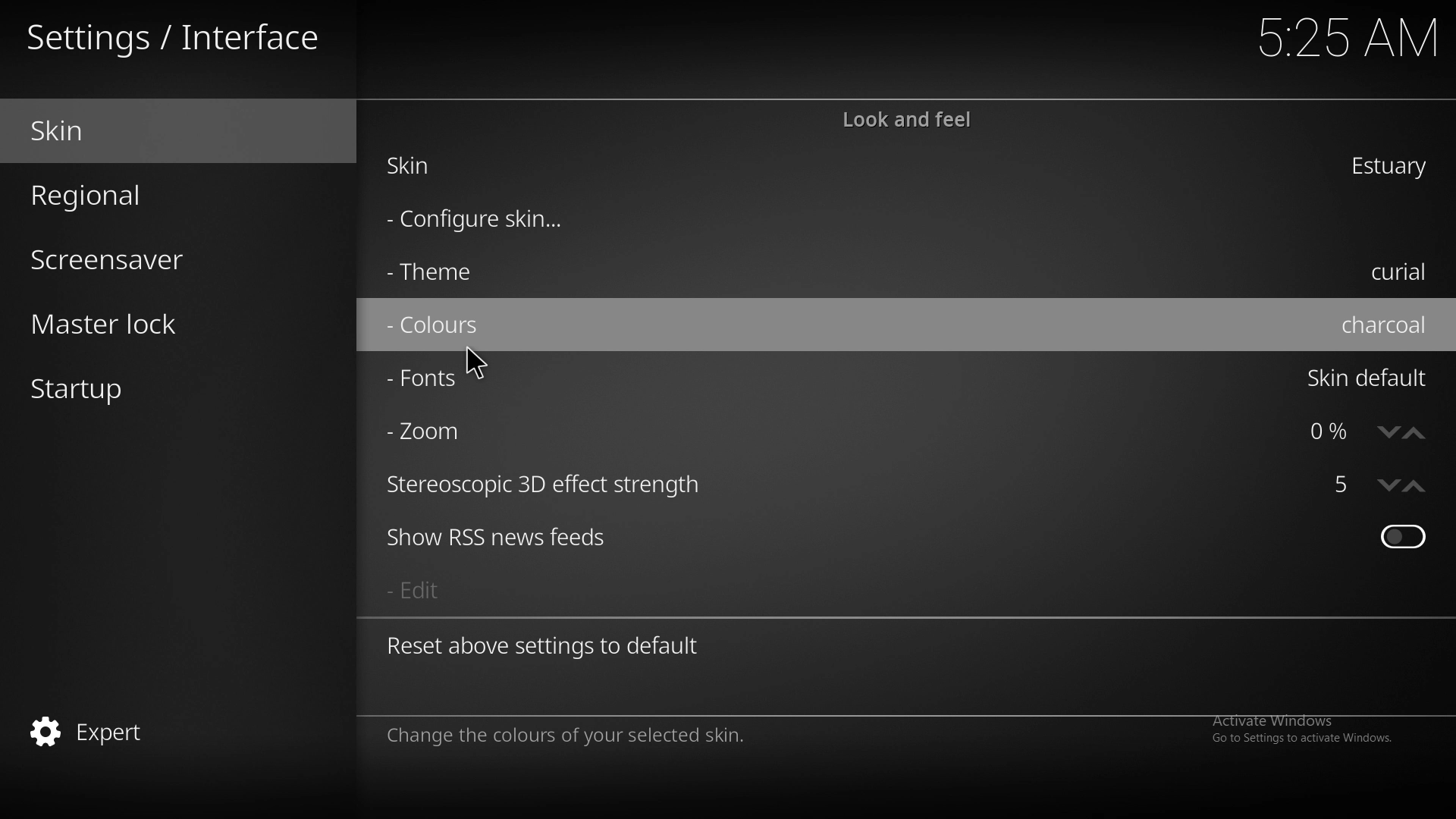 This screenshot has height=819, width=1456. Describe the element at coordinates (911, 119) in the screenshot. I see `look and feel` at that location.